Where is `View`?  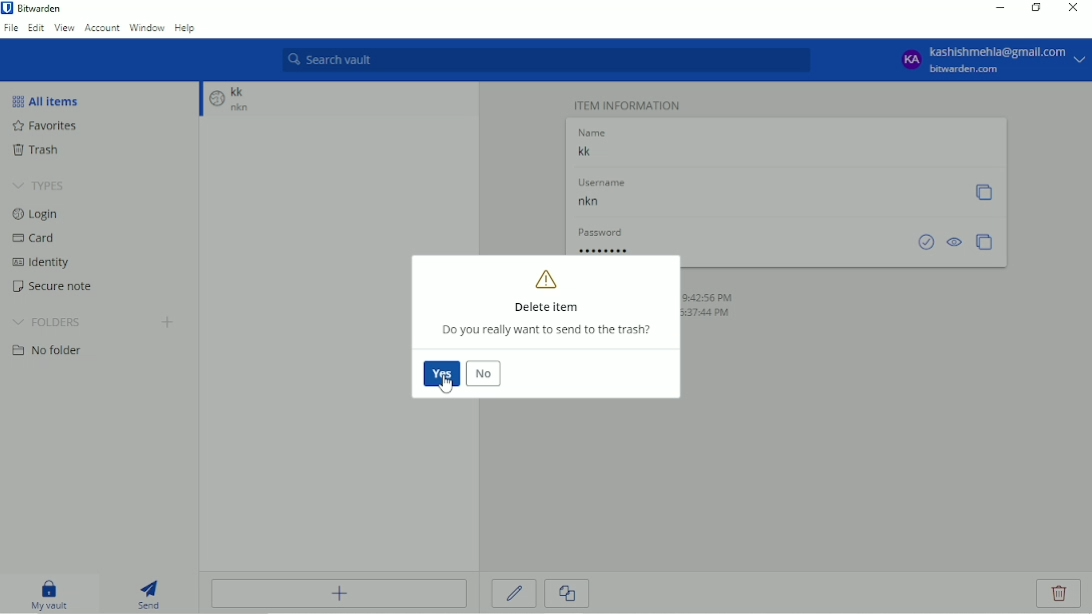
View is located at coordinates (65, 28).